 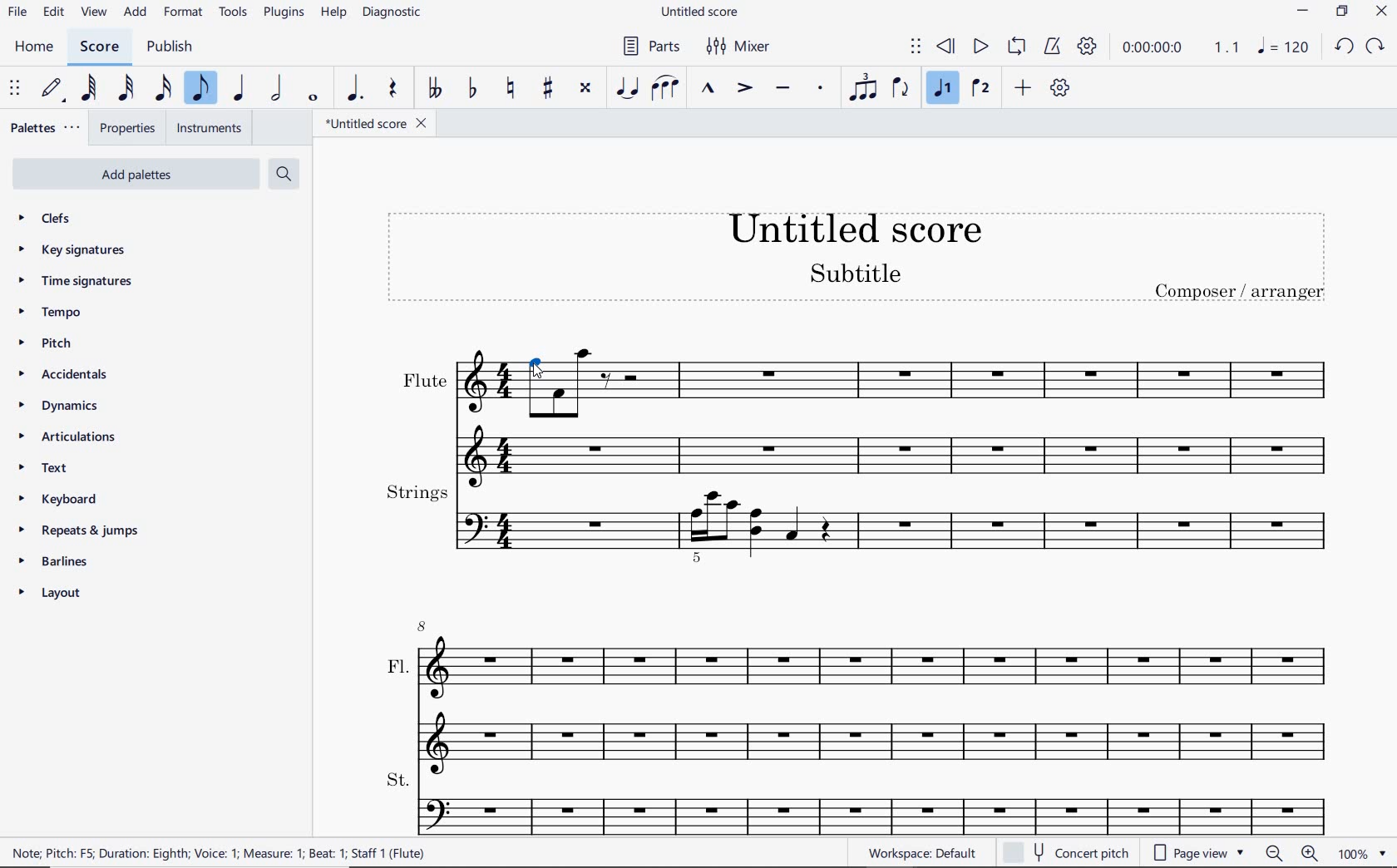 What do you see at coordinates (313, 98) in the screenshot?
I see `WHOLE NOTE` at bounding box center [313, 98].